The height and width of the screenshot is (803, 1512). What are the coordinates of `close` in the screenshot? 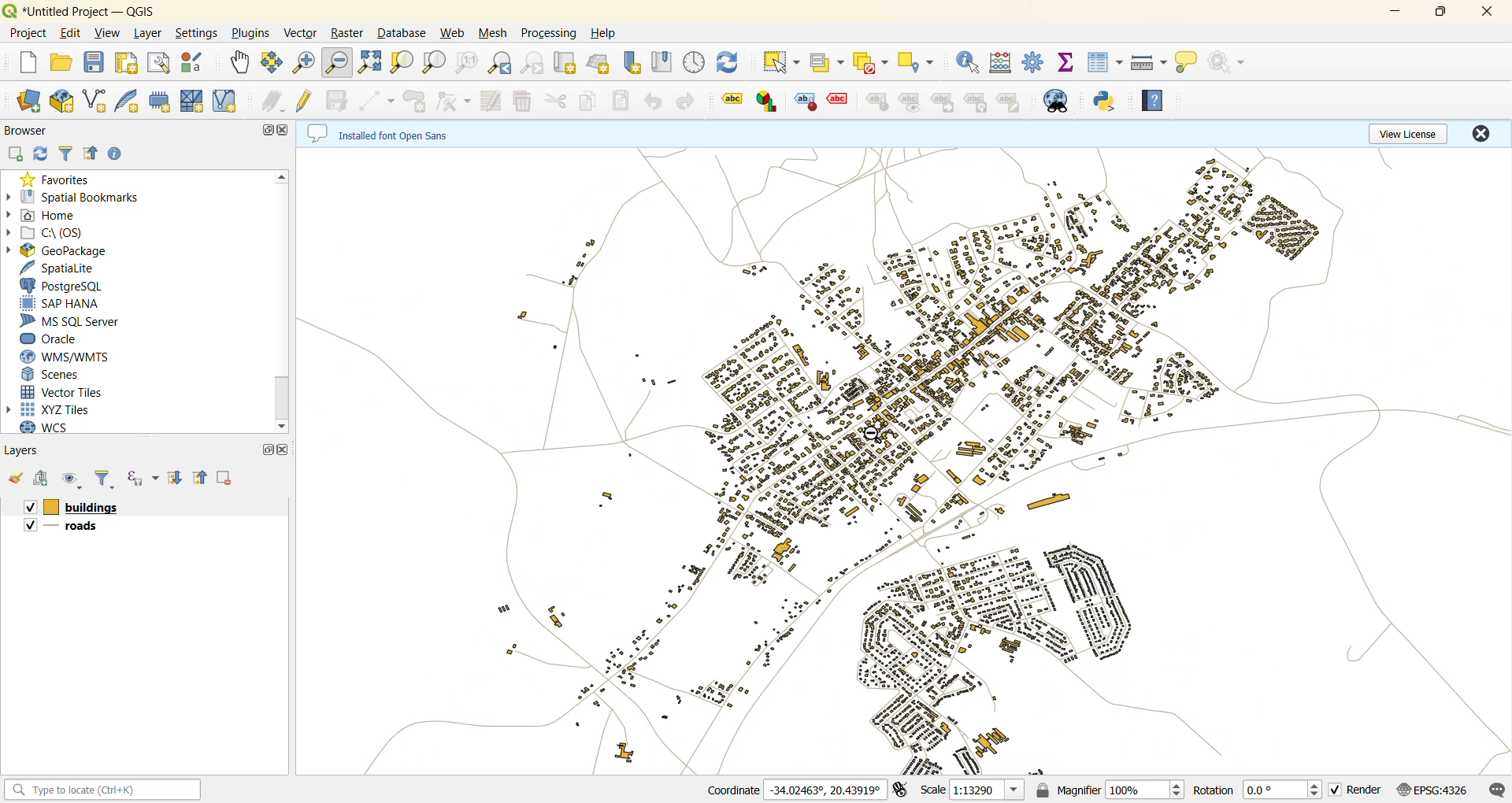 It's located at (1492, 13).